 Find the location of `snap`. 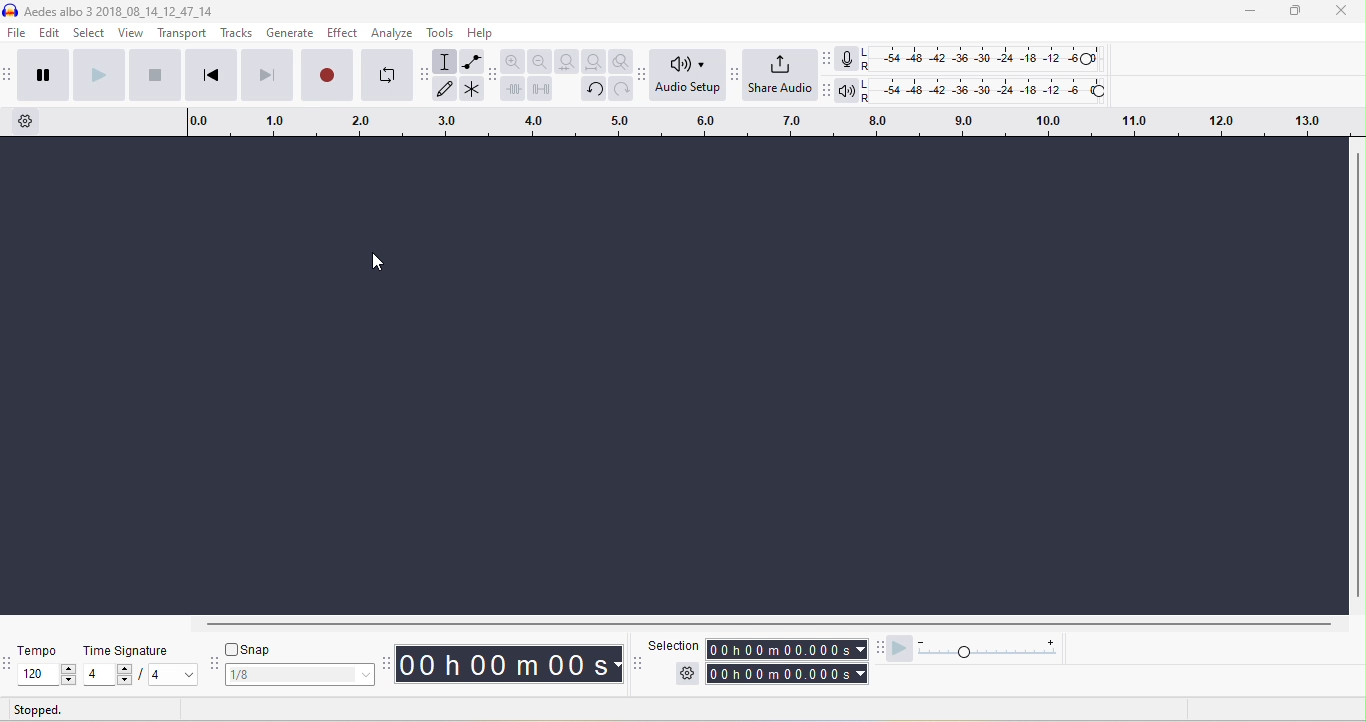

snap is located at coordinates (260, 648).